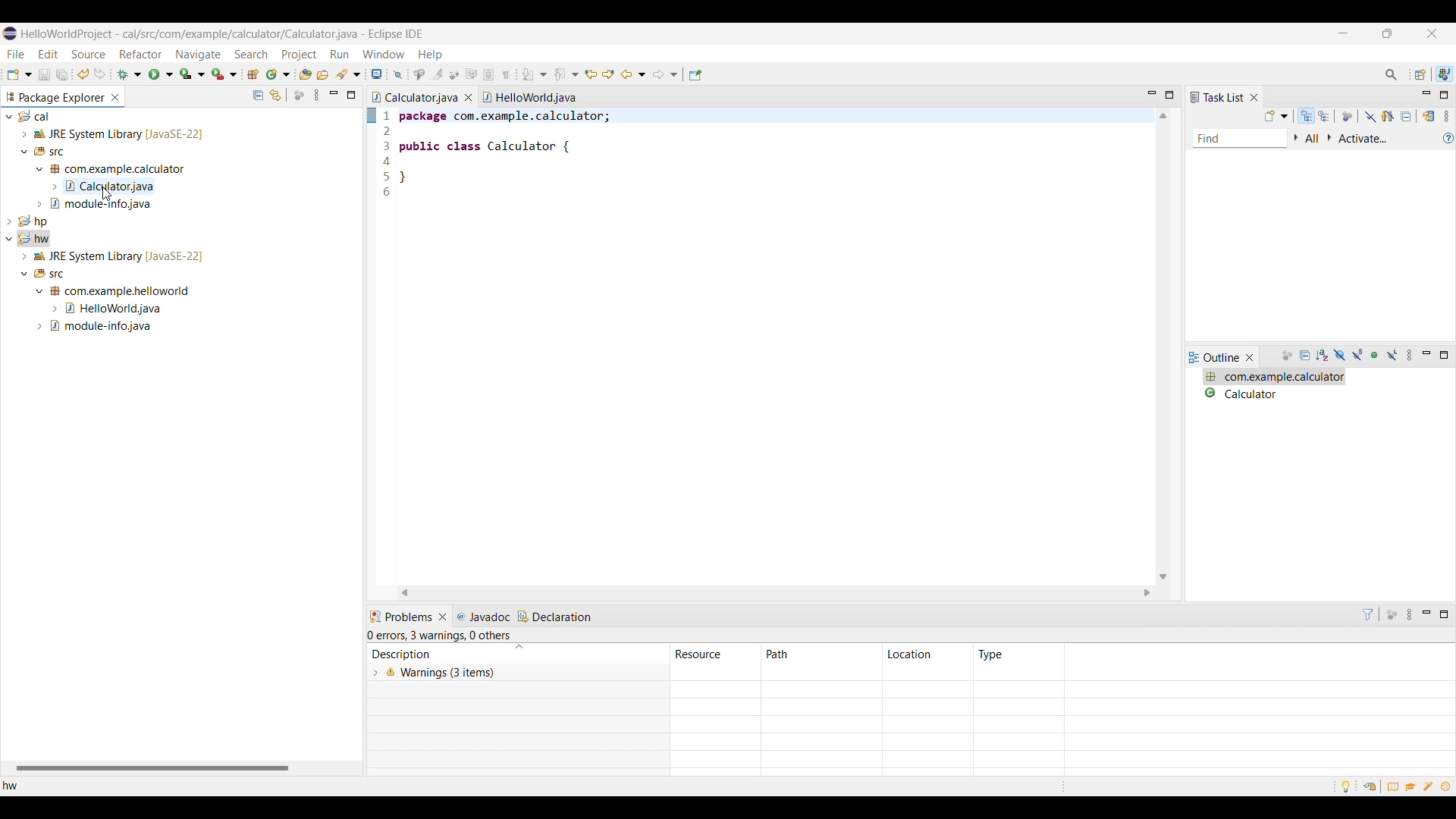  Describe the element at coordinates (1421, 74) in the screenshot. I see `Open perspective` at that location.